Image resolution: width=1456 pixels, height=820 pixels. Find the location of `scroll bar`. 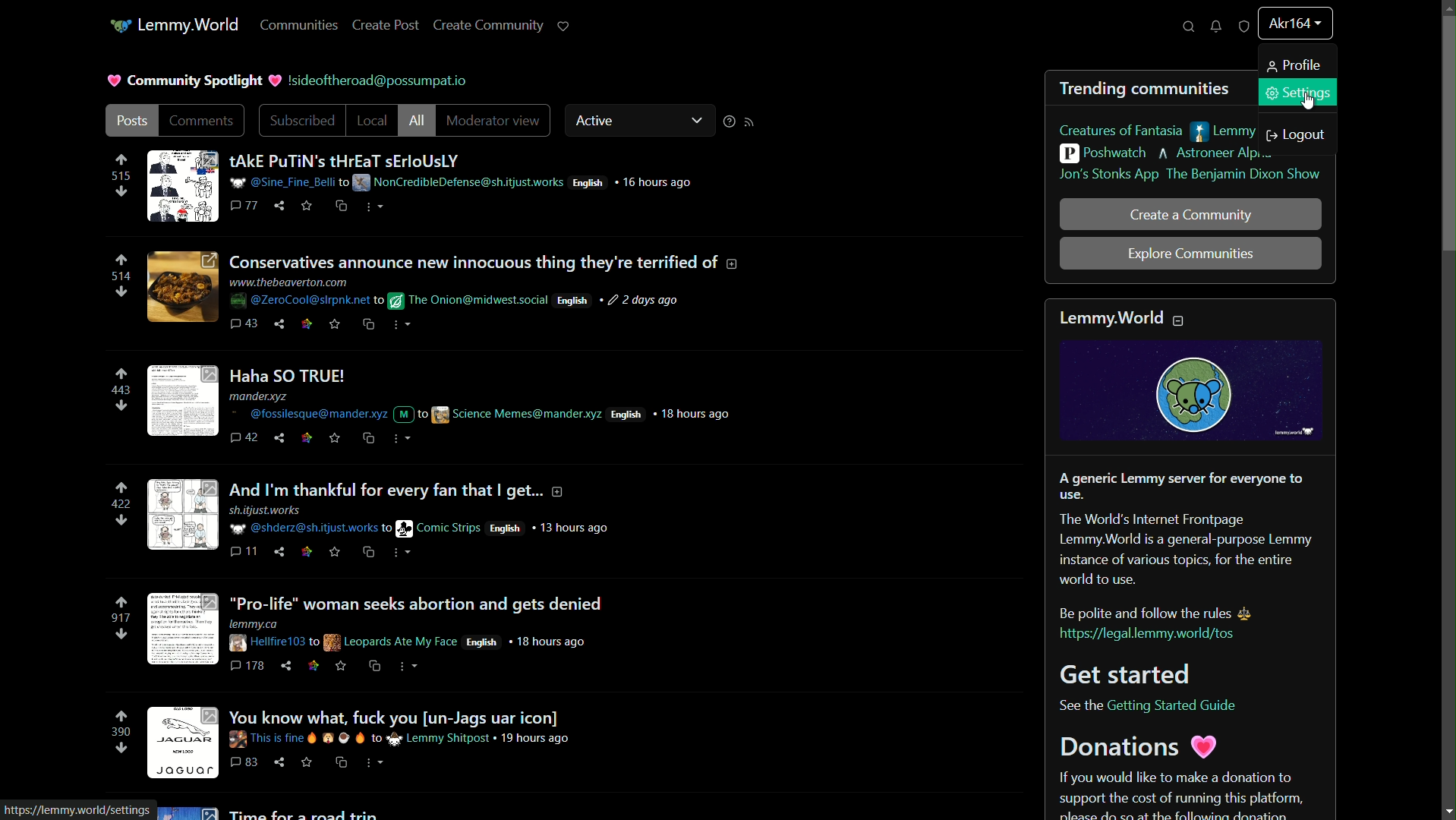

scroll bar is located at coordinates (1447, 134).